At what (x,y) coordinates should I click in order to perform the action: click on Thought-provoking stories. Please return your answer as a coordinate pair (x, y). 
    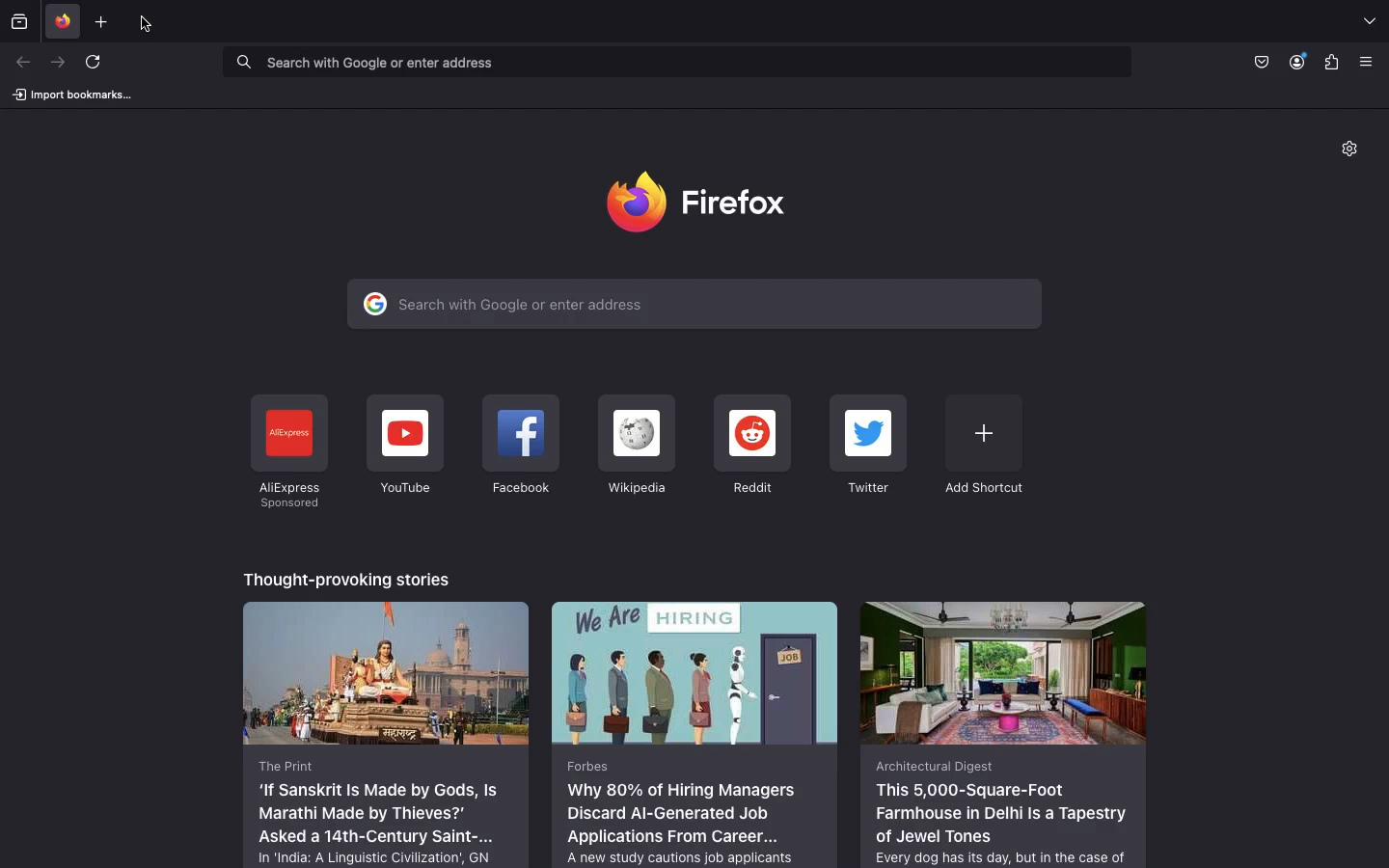
    Looking at the image, I should click on (349, 577).